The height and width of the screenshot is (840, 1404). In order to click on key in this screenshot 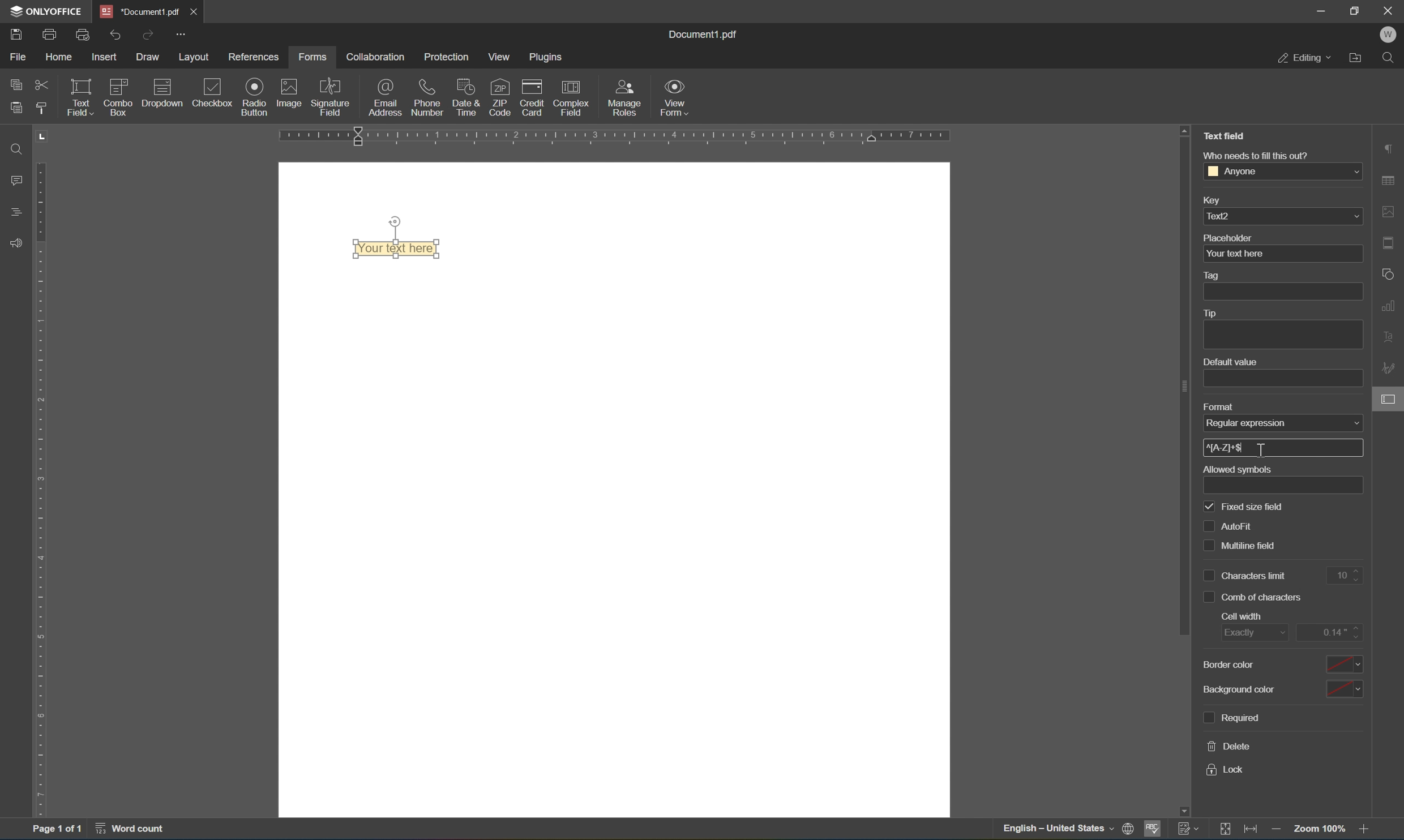, I will do `click(1212, 199)`.